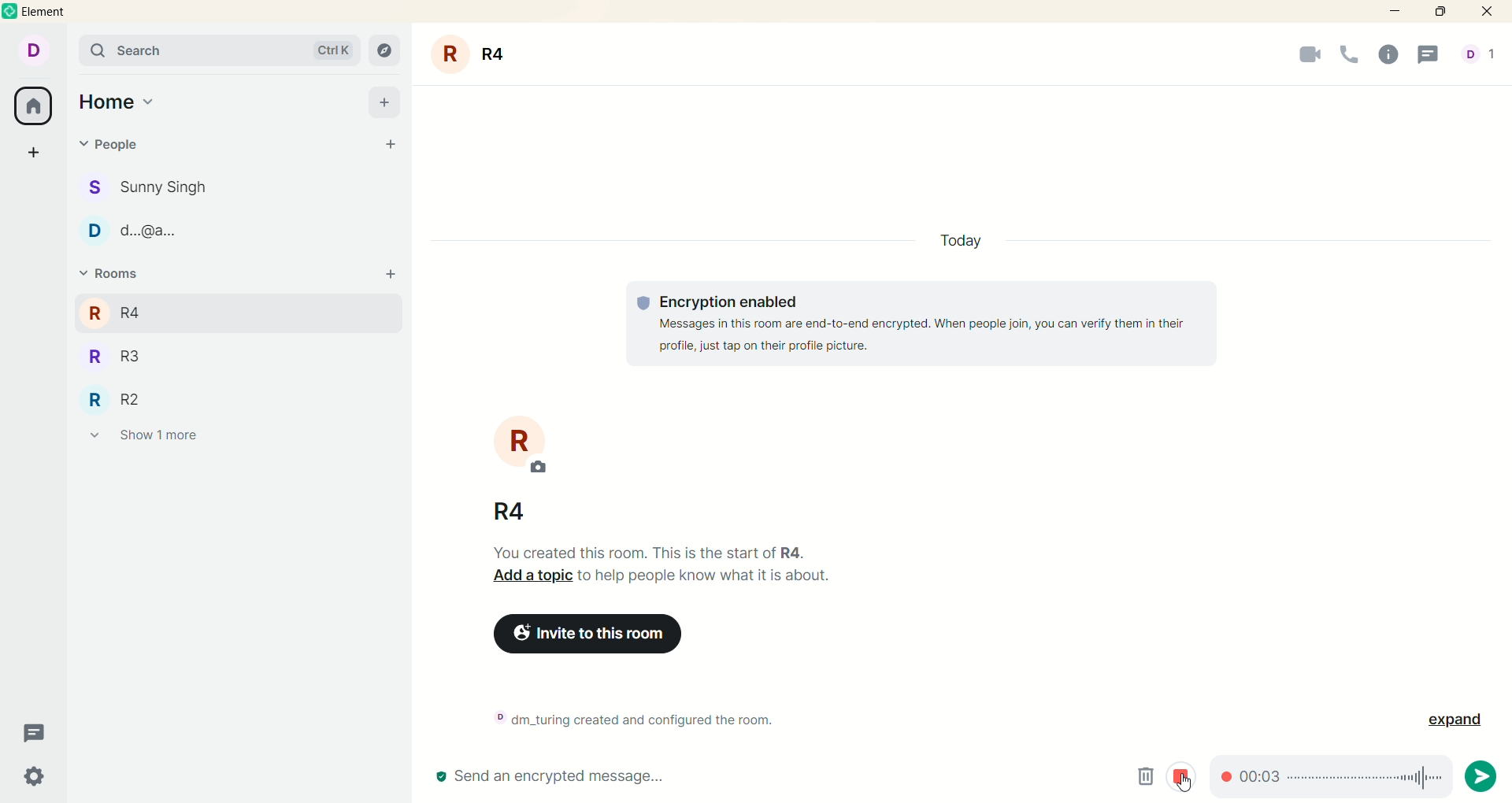 This screenshot has width=1512, height=803. Describe the element at coordinates (673, 570) in the screenshot. I see `text` at that location.